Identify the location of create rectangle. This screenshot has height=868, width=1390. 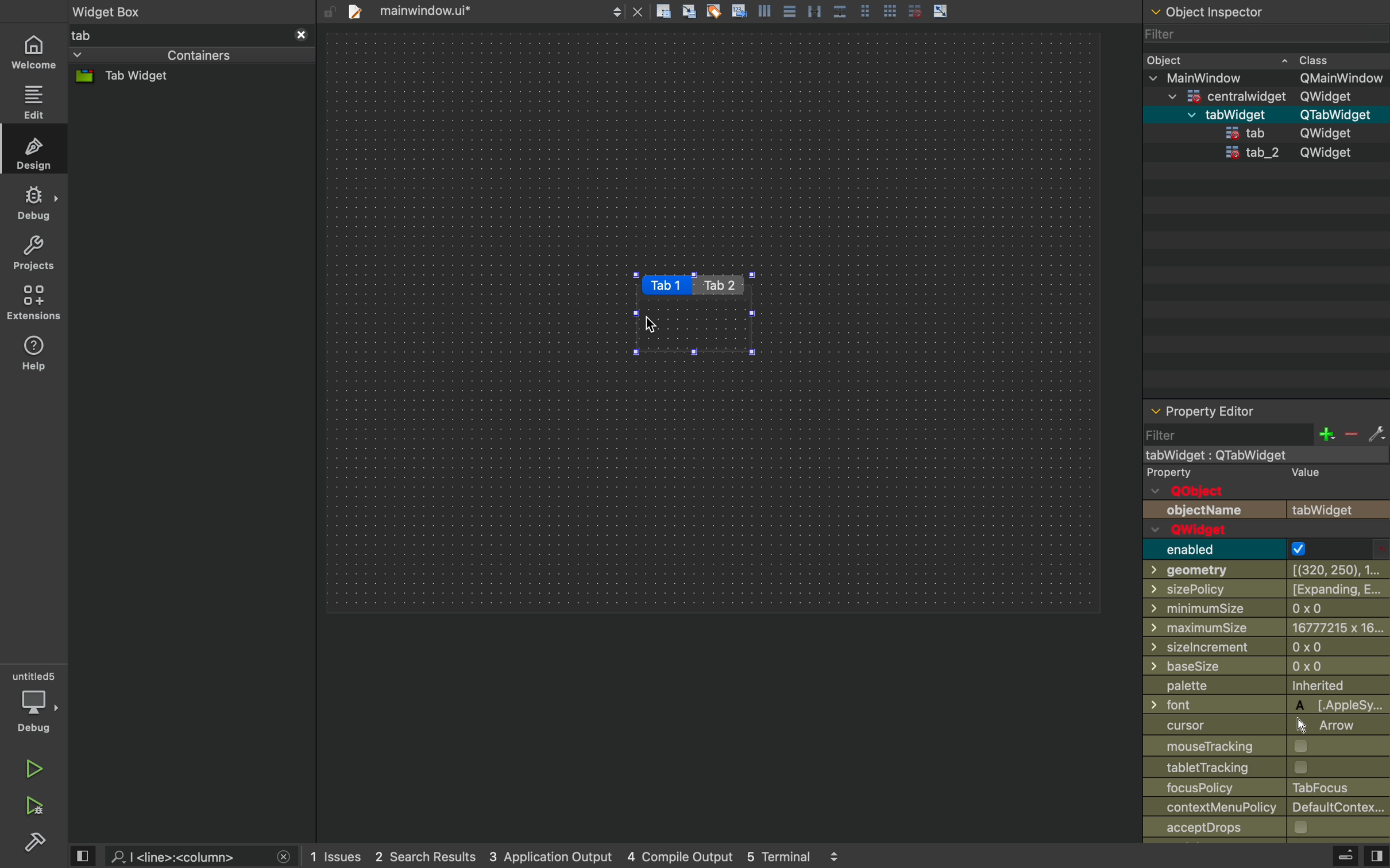
(663, 10).